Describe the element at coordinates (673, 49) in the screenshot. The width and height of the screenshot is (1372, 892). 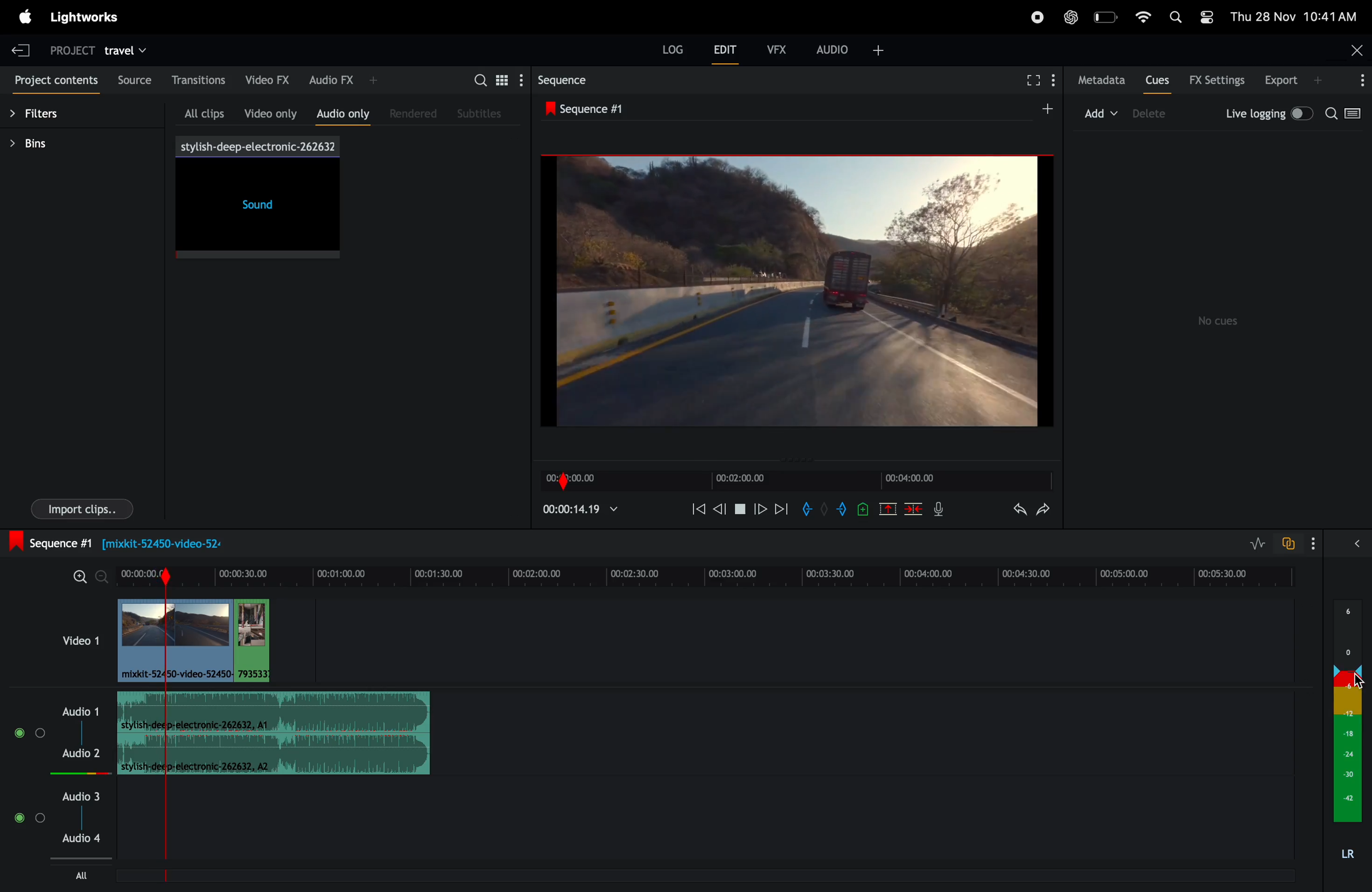
I see `LOG` at that location.